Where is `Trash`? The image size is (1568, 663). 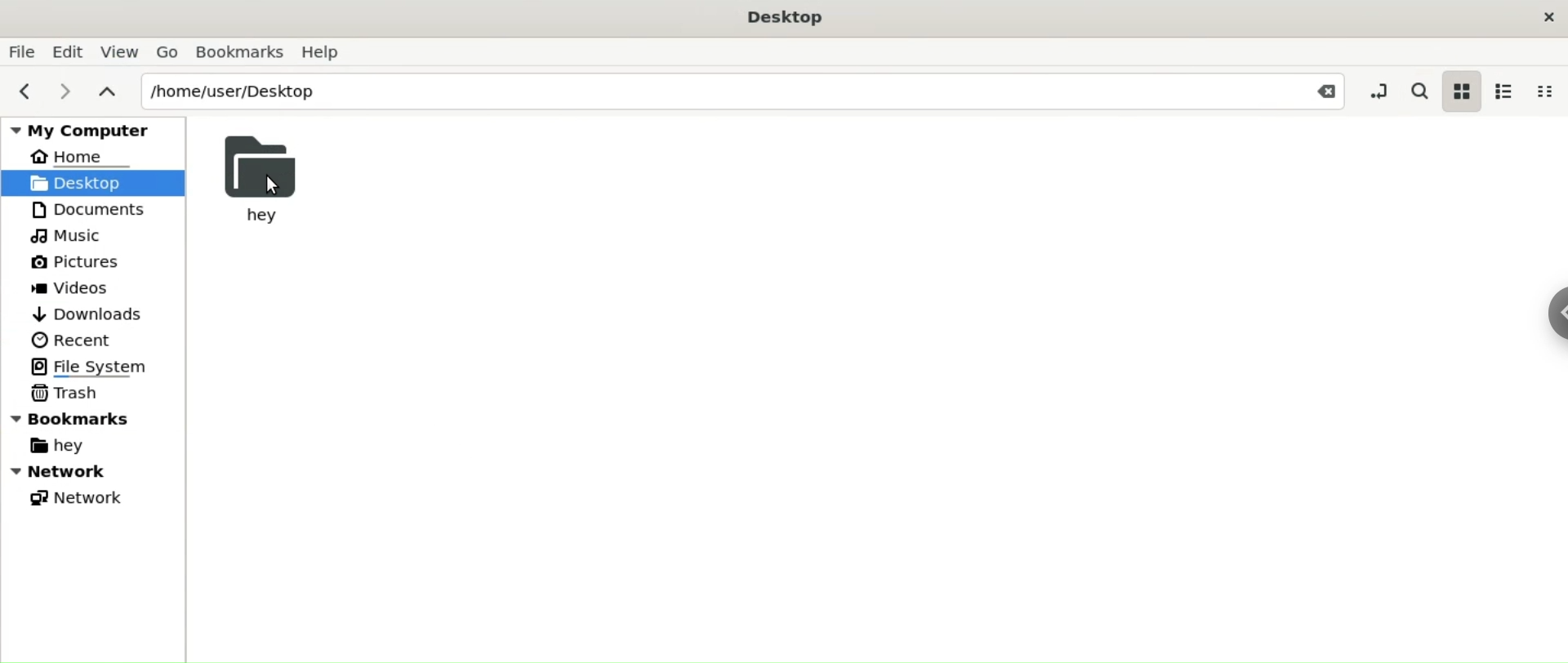
Trash is located at coordinates (67, 392).